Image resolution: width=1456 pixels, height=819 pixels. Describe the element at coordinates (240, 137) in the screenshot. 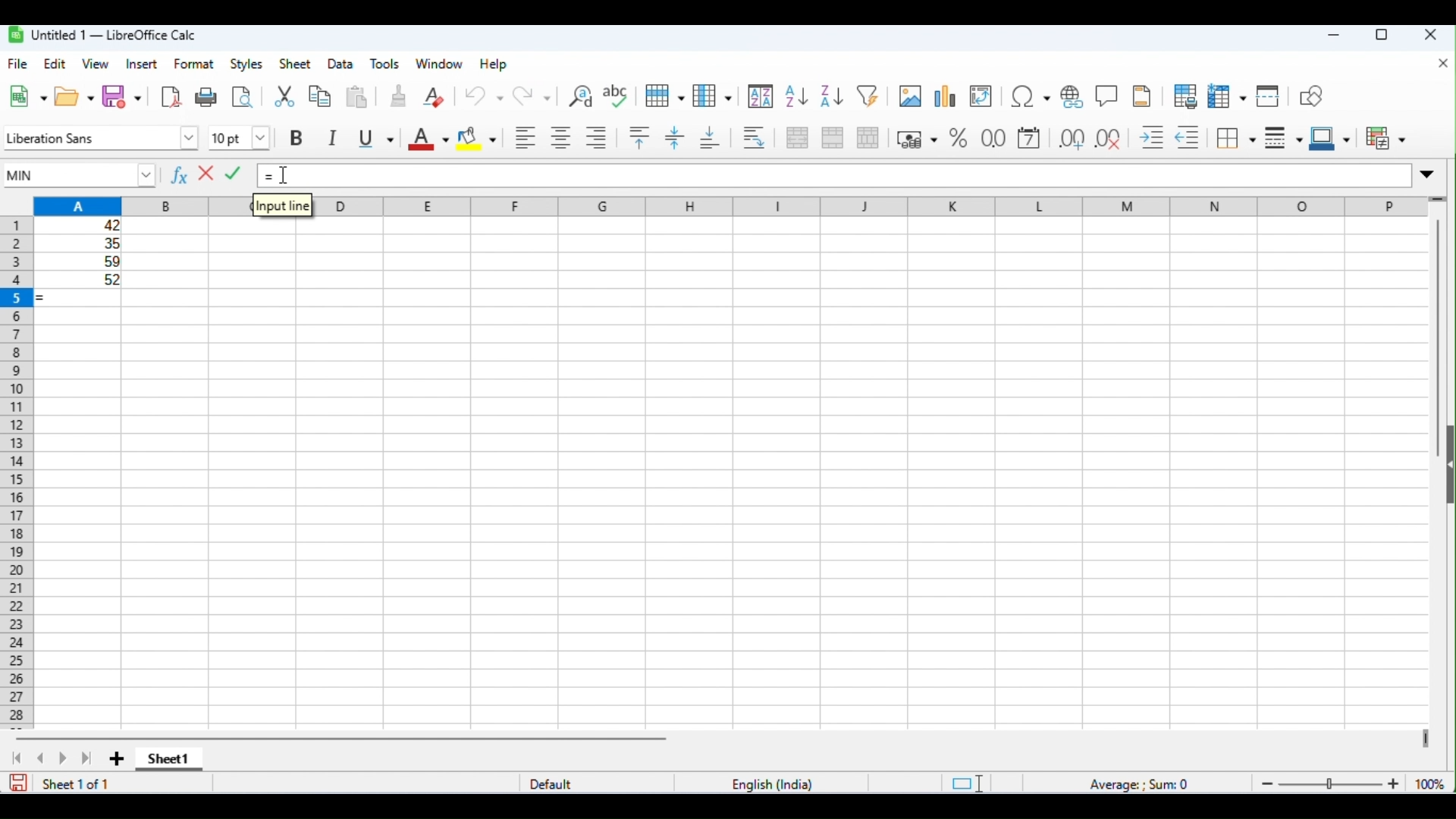

I see `font size` at that location.